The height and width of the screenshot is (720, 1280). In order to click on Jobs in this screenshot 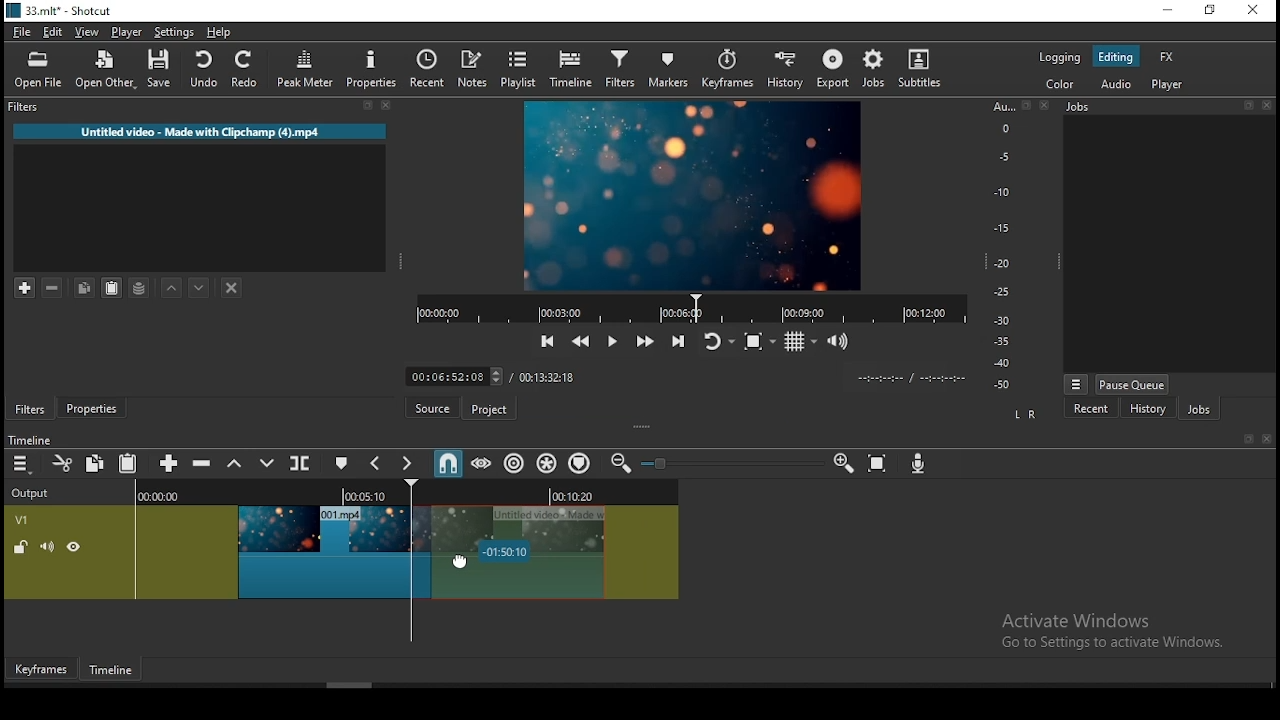, I will do `click(1171, 108)`.